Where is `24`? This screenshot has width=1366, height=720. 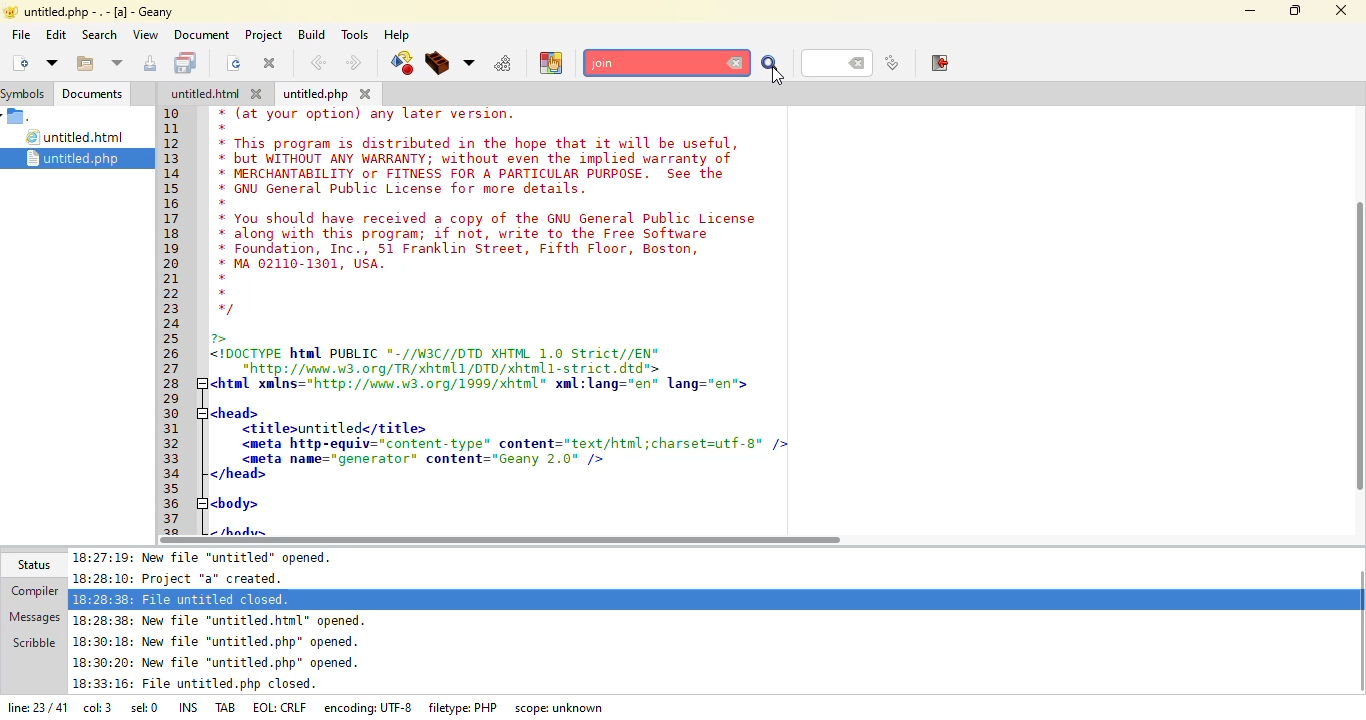
24 is located at coordinates (173, 325).